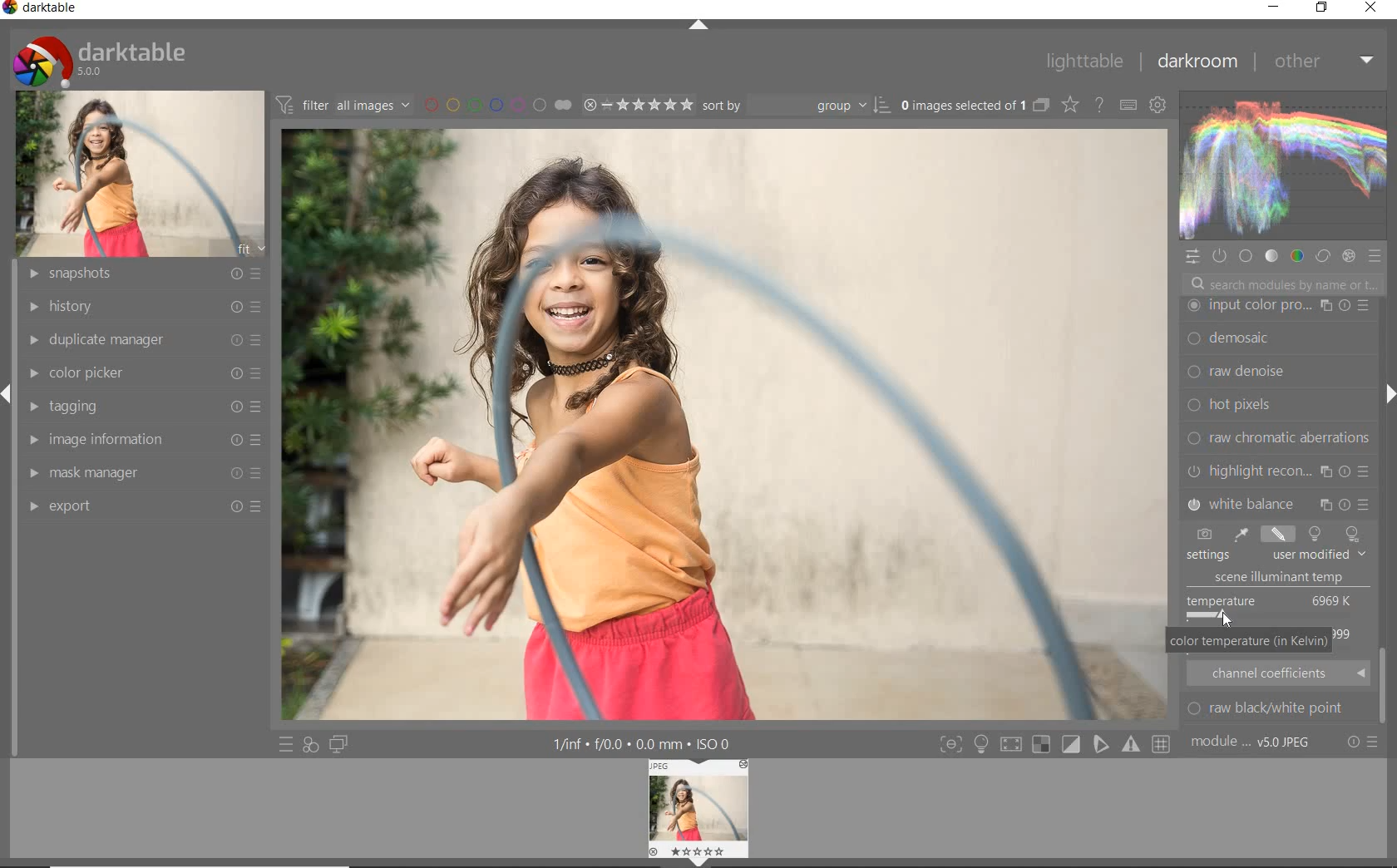 The height and width of the screenshot is (868, 1397). I want to click on framing, so click(1277, 340).